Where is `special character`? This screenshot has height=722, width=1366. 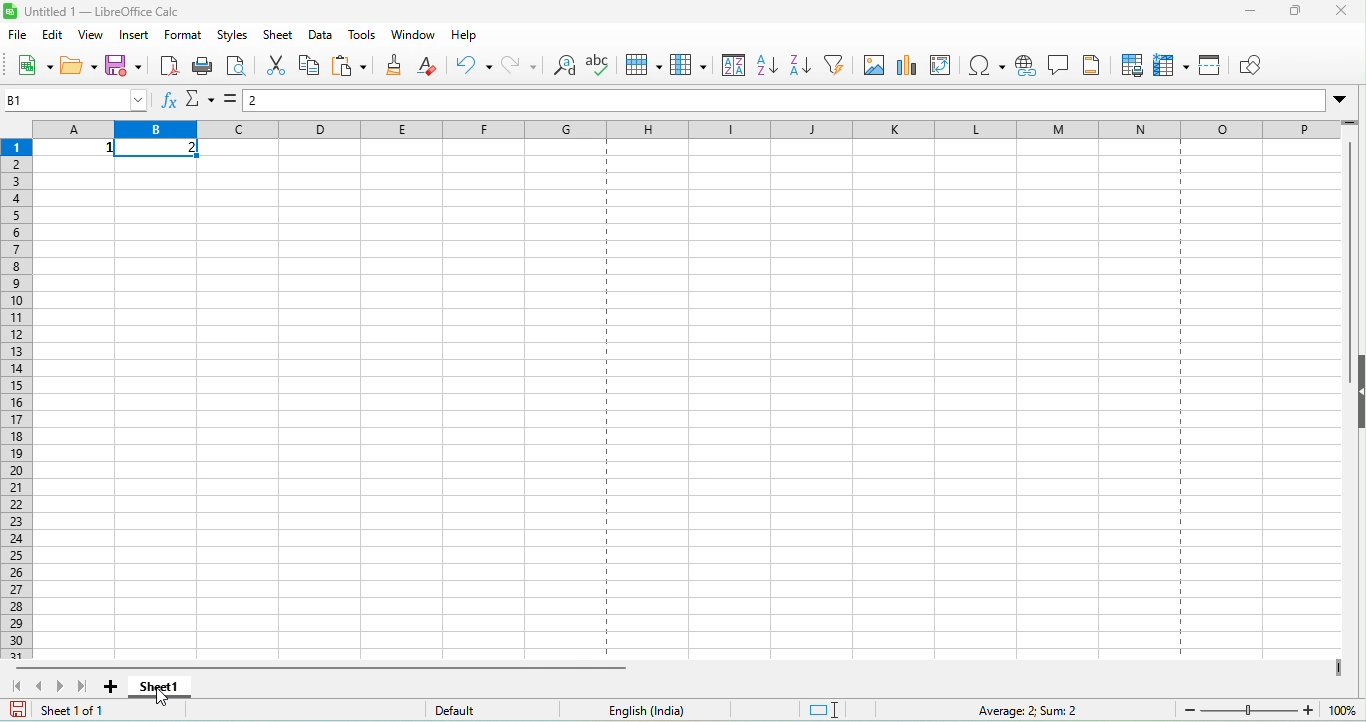 special character is located at coordinates (987, 69).